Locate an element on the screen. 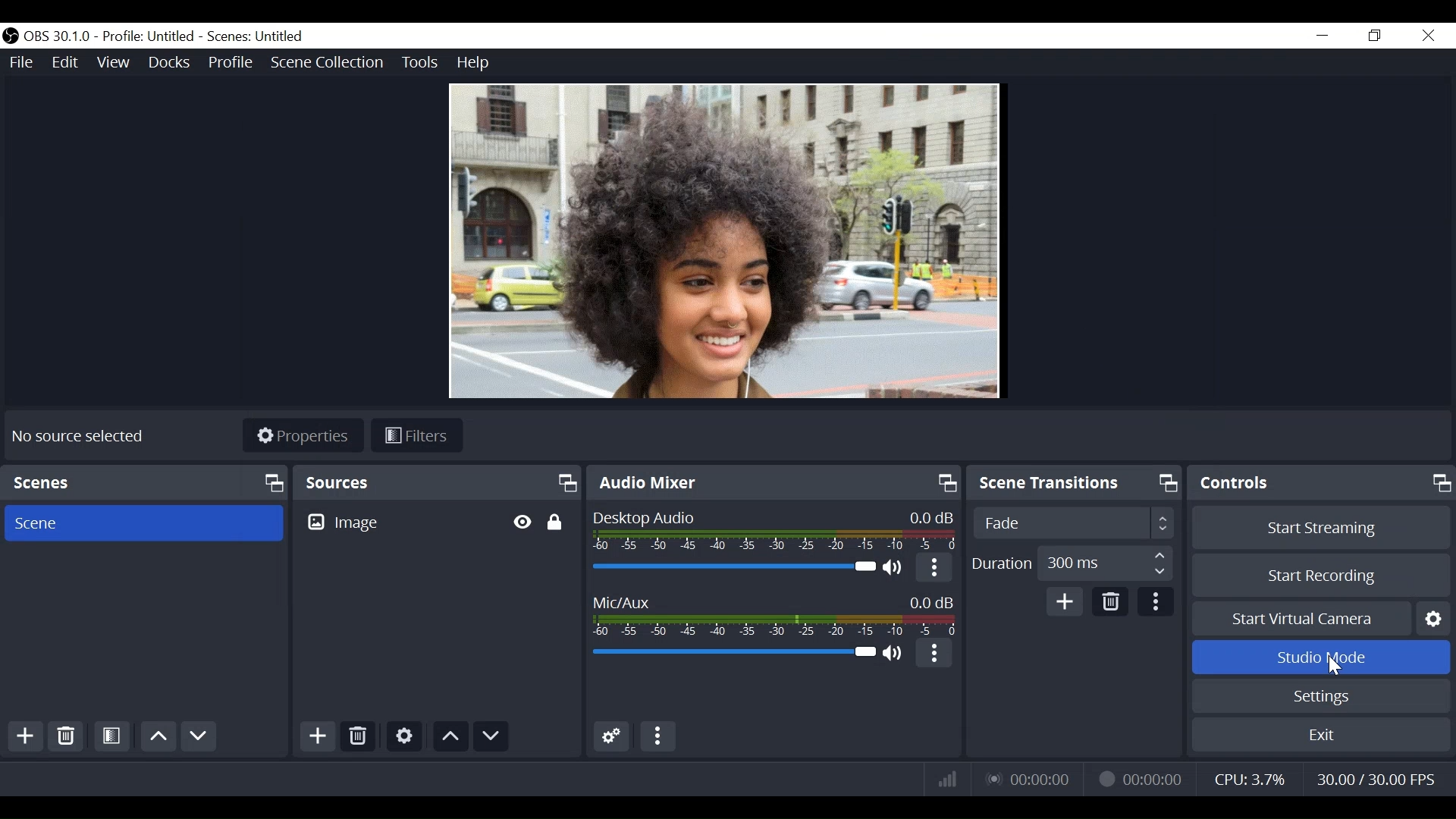  Studio Mode is located at coordinates (1319, 655).